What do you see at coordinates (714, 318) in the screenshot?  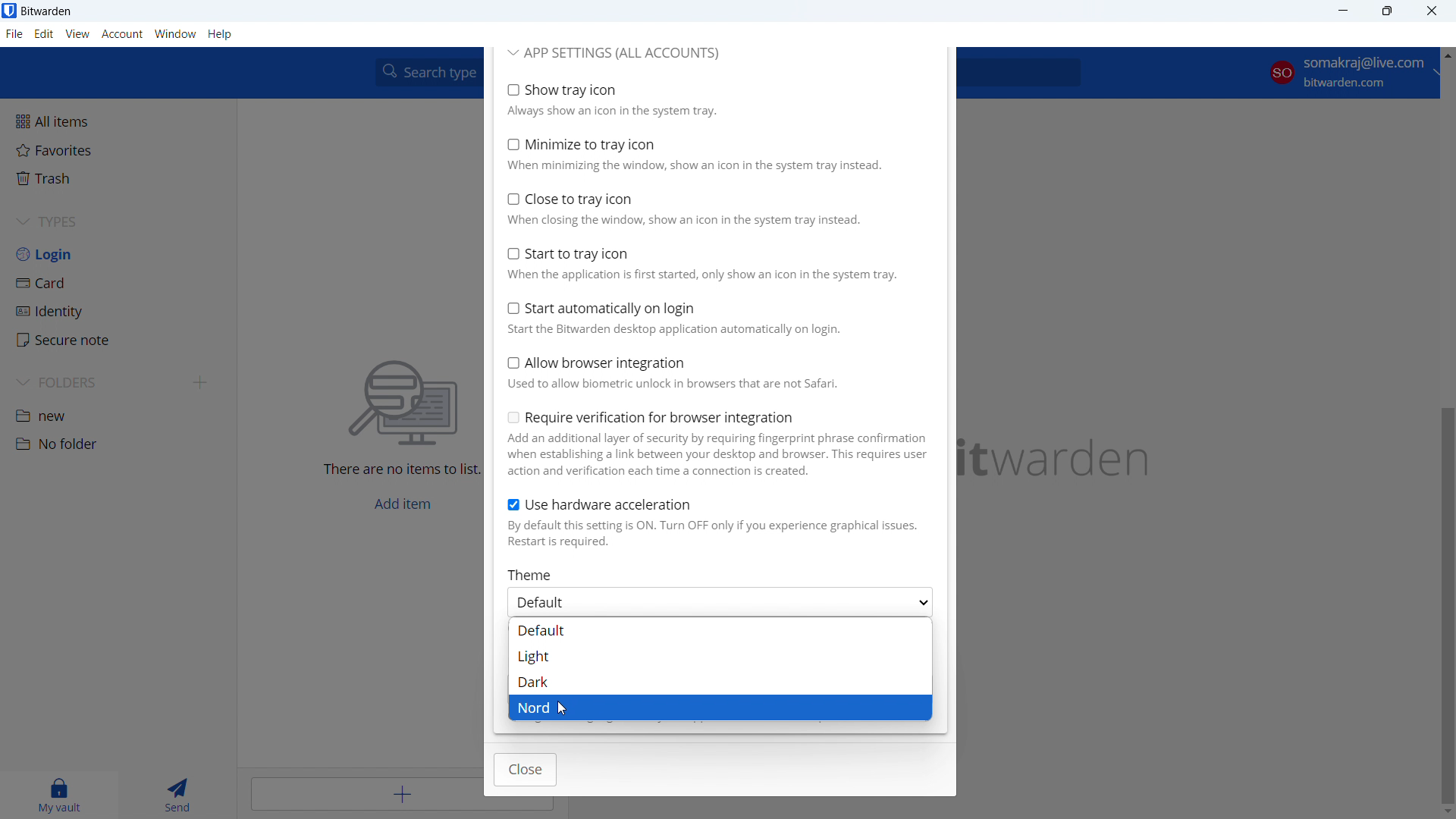 I see `start automatically on login` at bounding box center [714, 318].